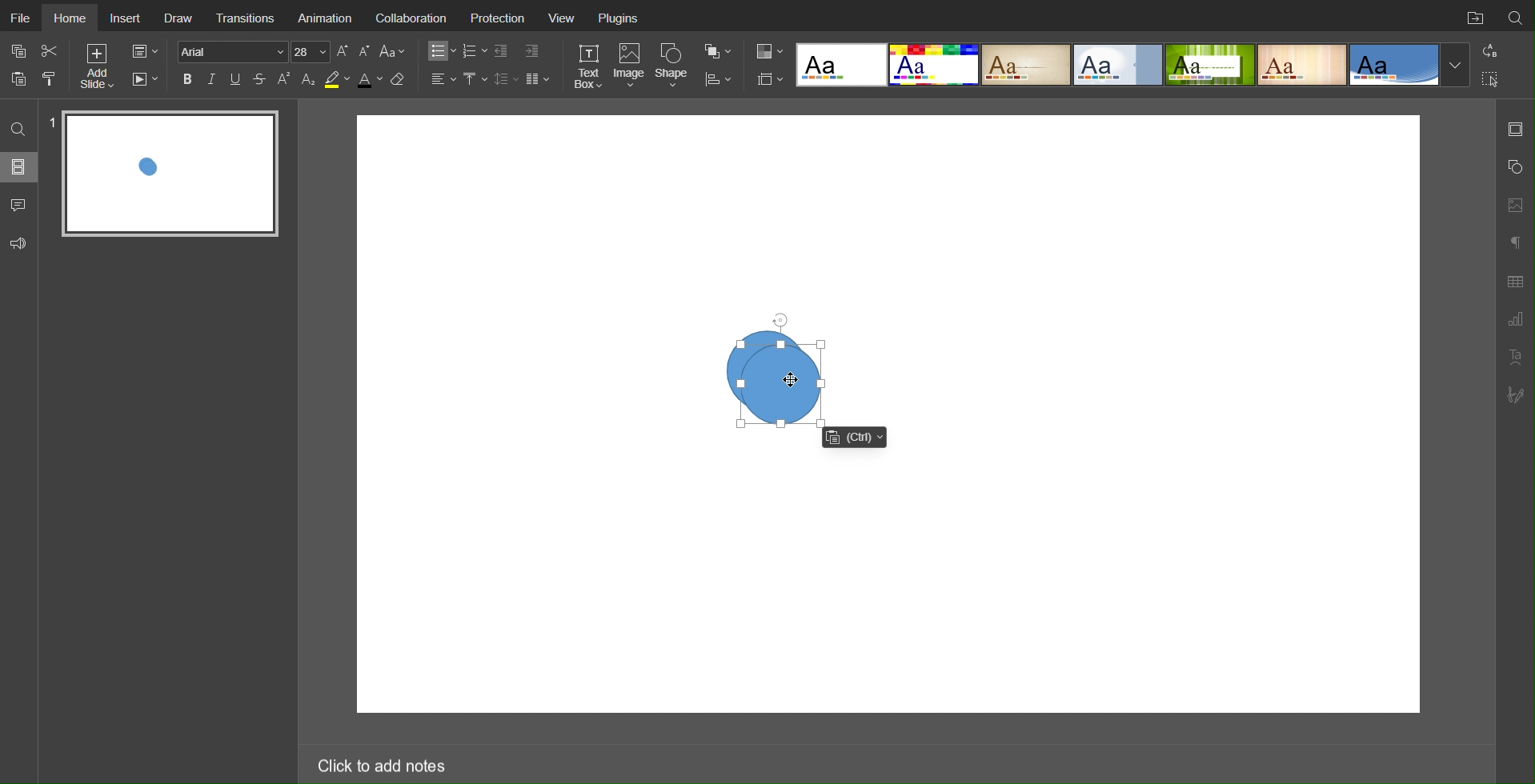  I want to click on Collaboration, so click(415, 18).